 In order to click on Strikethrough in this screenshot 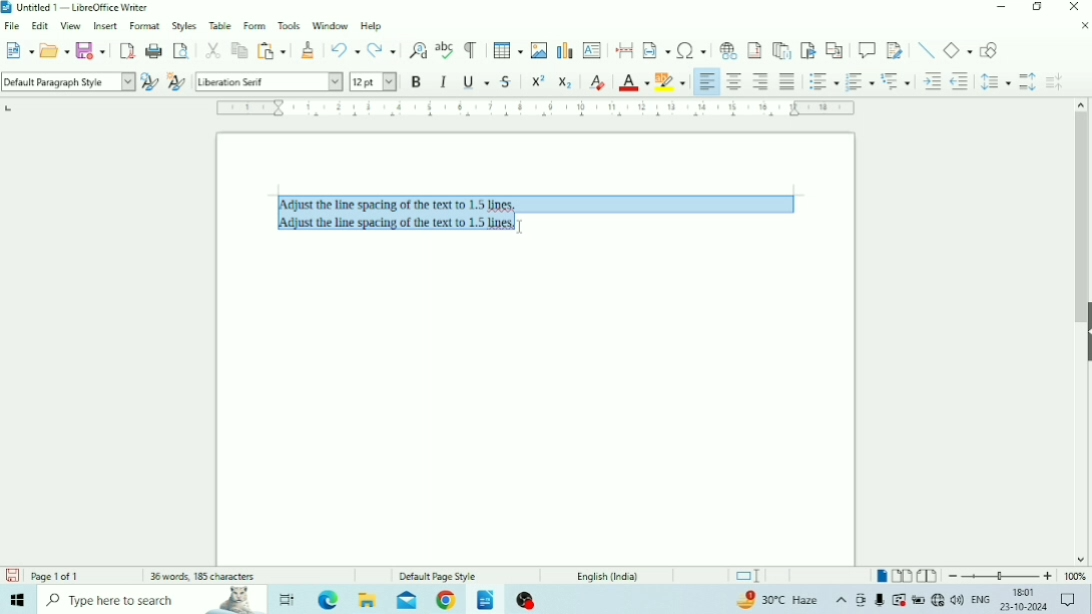, I will do `click(506, 82)`.